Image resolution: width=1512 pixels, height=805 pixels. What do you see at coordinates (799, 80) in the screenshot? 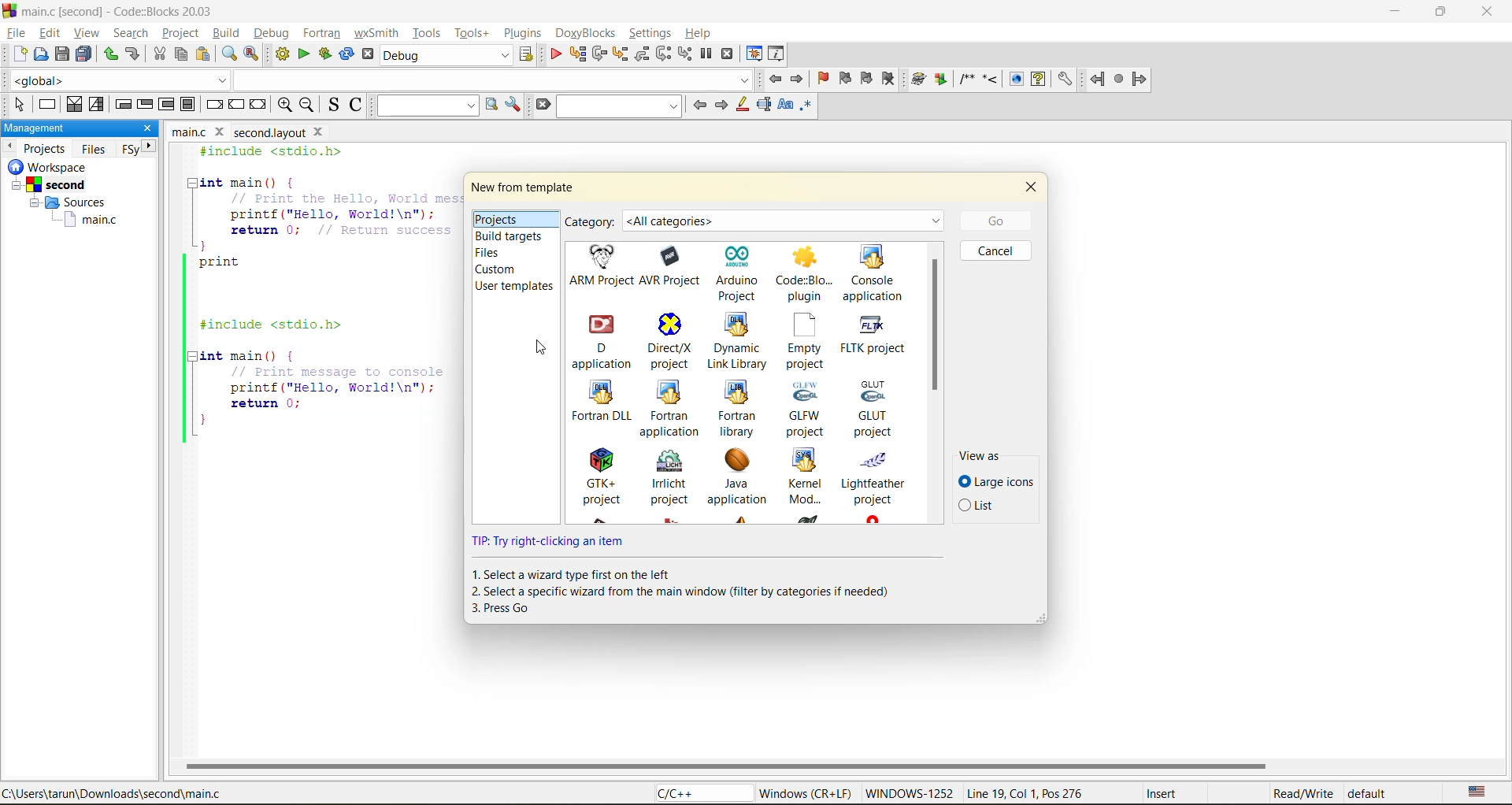
I see `jump forward` at bounding box center [799, 80].